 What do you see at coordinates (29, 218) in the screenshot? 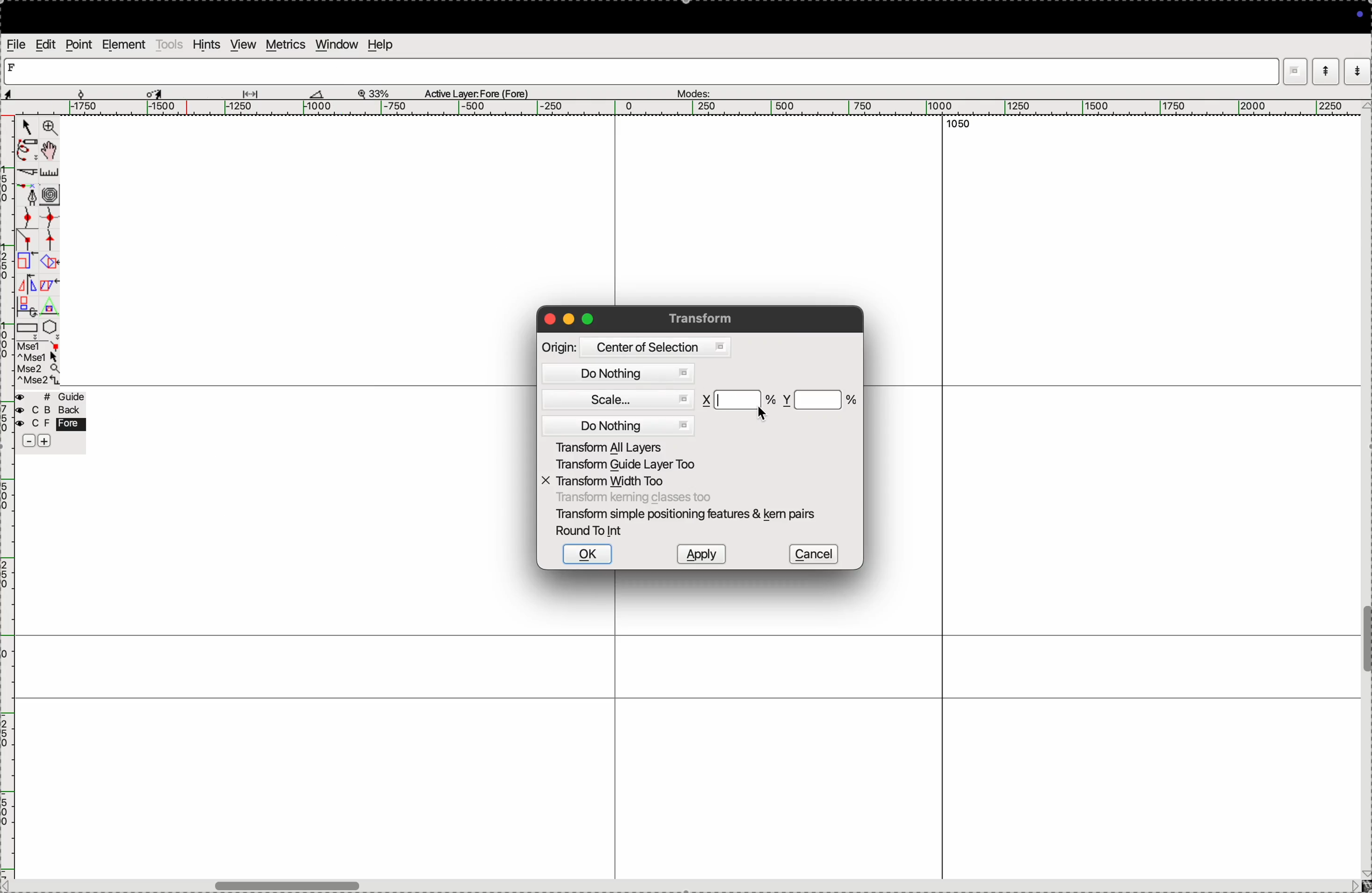
I see `point curve` at bounding box center [29, 218].